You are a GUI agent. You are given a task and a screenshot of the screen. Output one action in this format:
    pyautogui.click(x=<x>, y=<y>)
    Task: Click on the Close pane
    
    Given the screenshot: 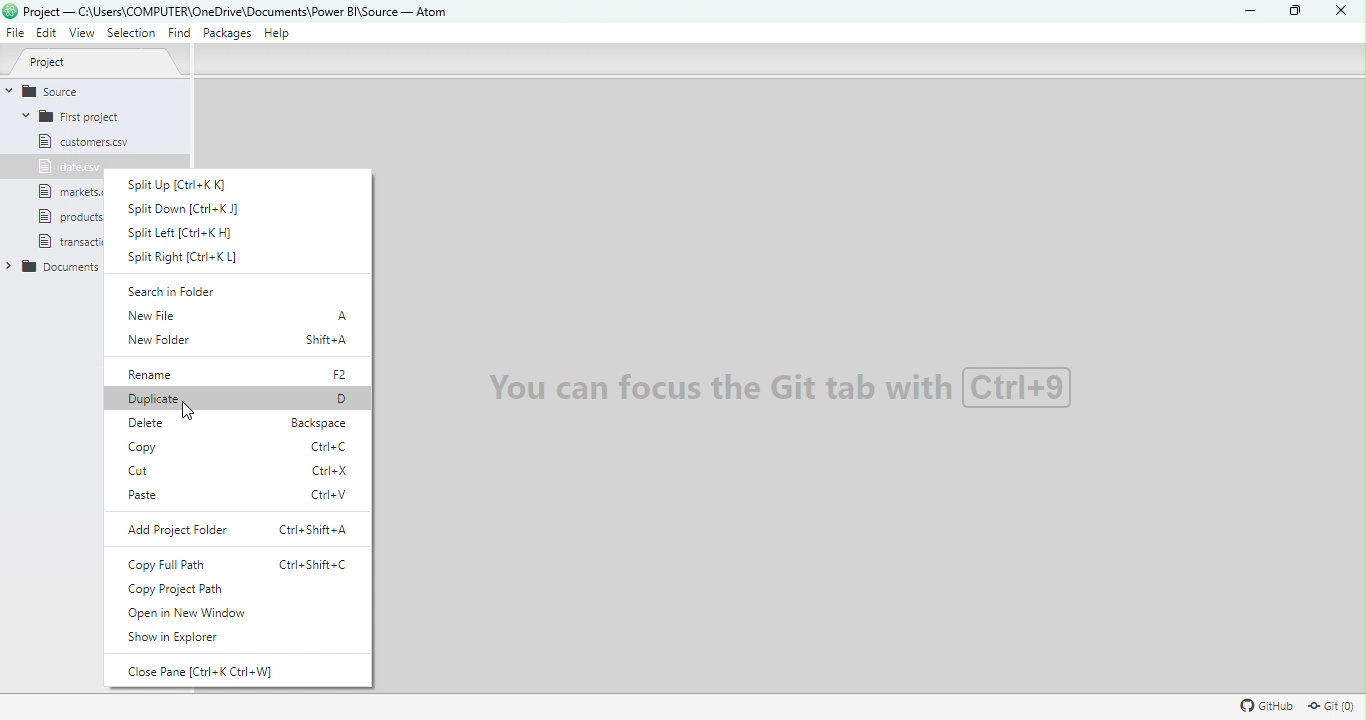 What is the action you would take?
    pyautogui.click(x=213, y=671)
    